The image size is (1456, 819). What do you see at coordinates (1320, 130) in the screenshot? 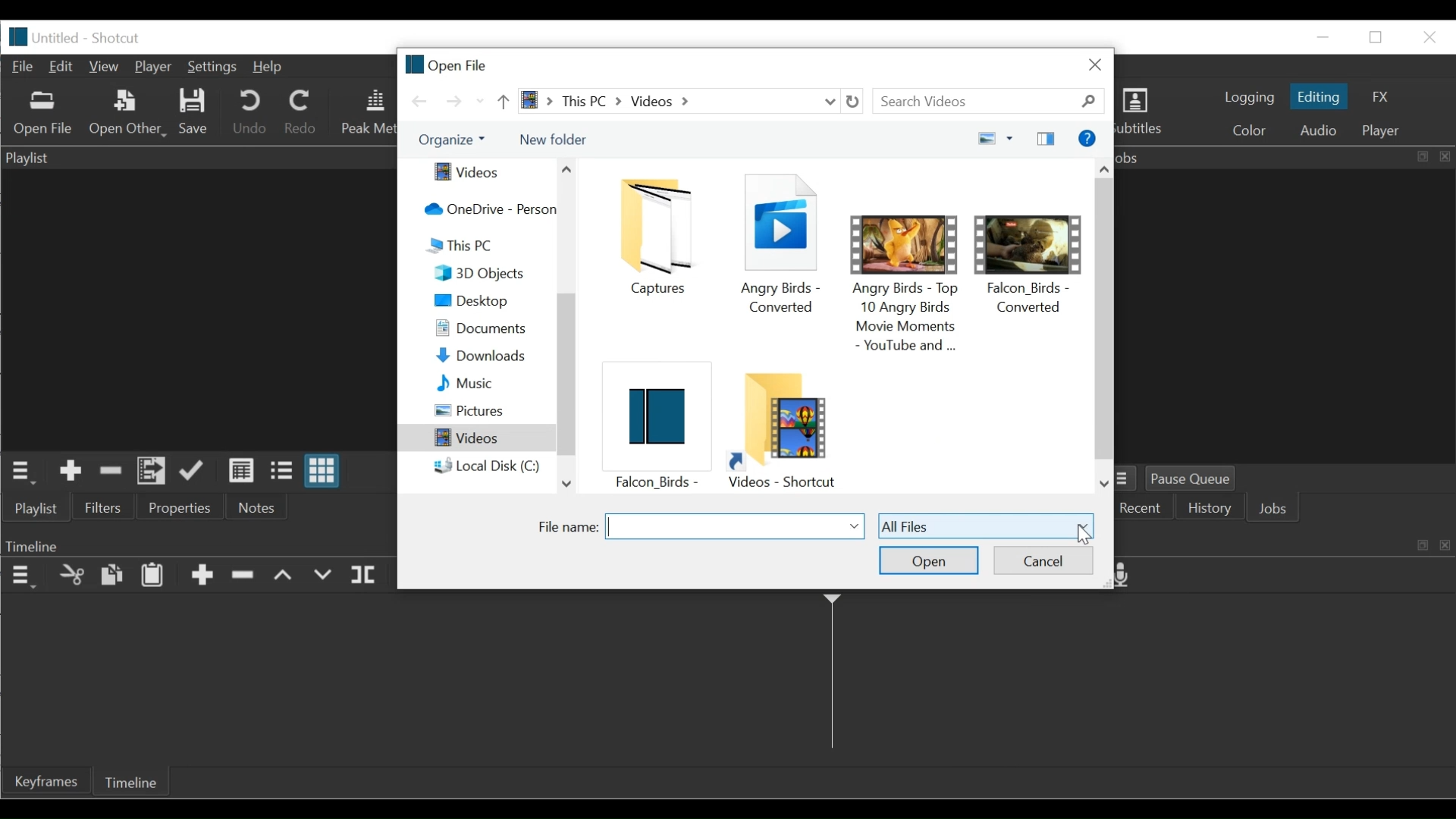
I see `Audio` at bounding box center [1320, 130].